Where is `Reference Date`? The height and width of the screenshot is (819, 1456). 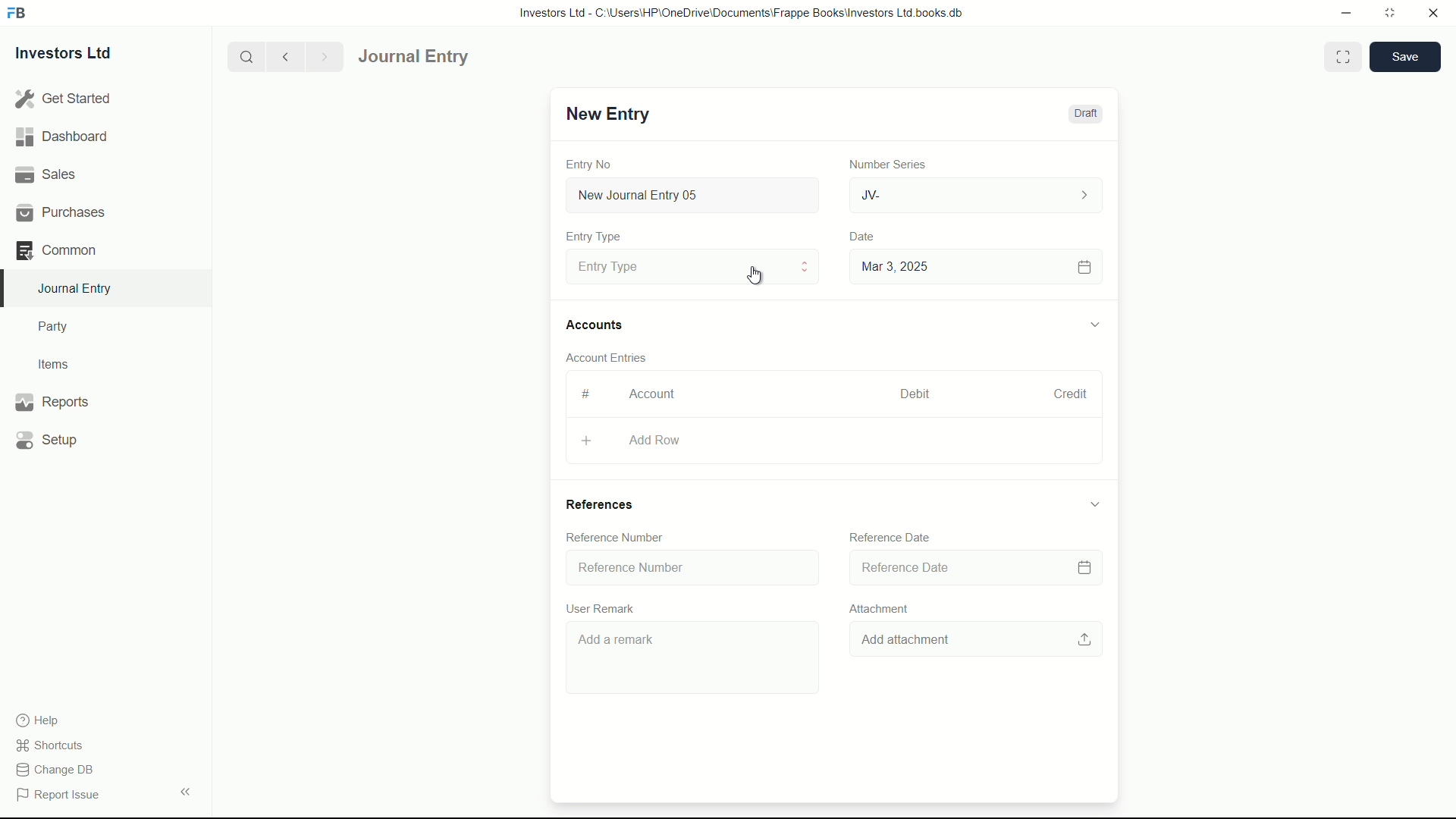
Reference Date is located at coordinates (890, 536).